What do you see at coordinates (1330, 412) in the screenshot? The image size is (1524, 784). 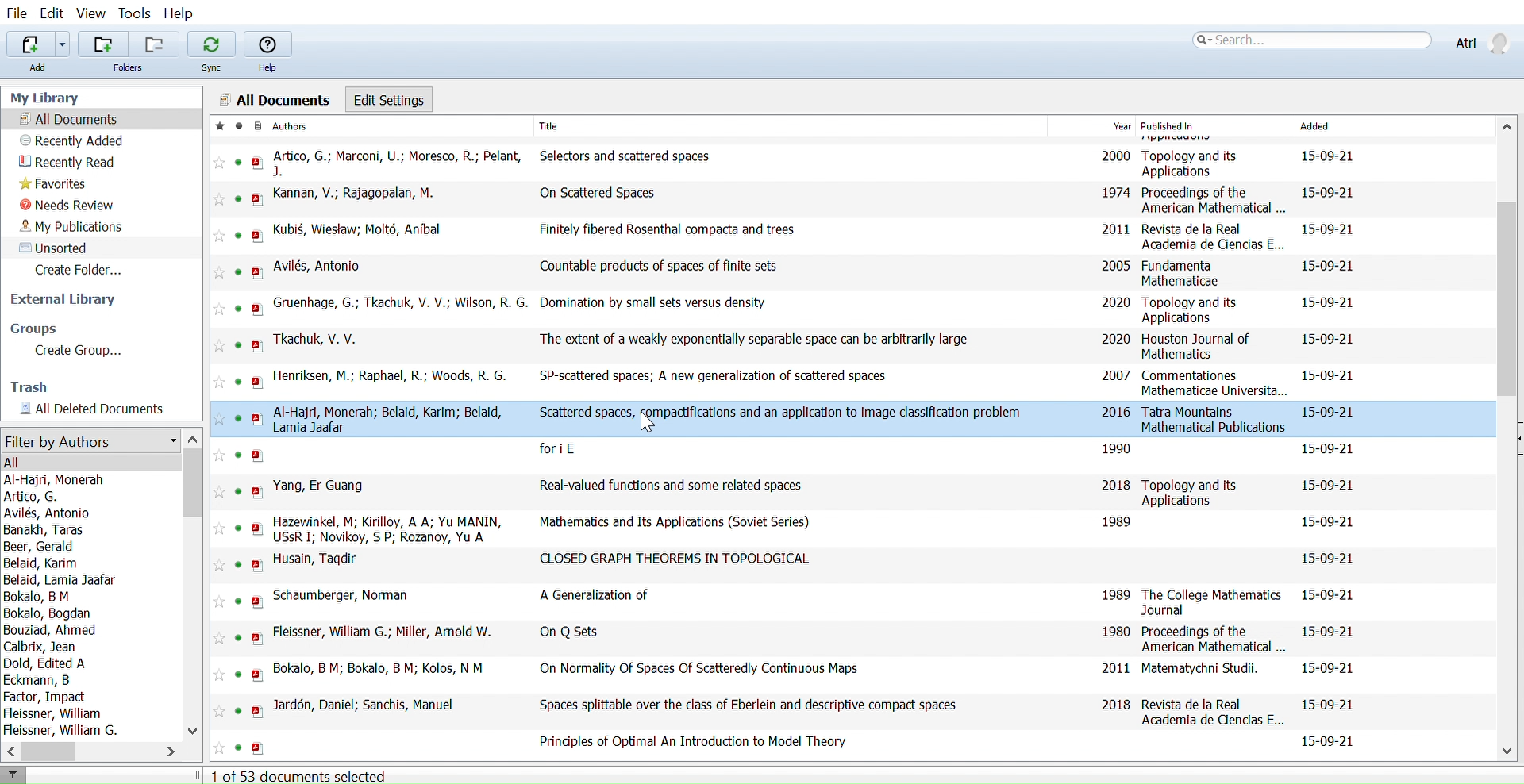 I see `15-09-21` at bounding box center [1330, 412].